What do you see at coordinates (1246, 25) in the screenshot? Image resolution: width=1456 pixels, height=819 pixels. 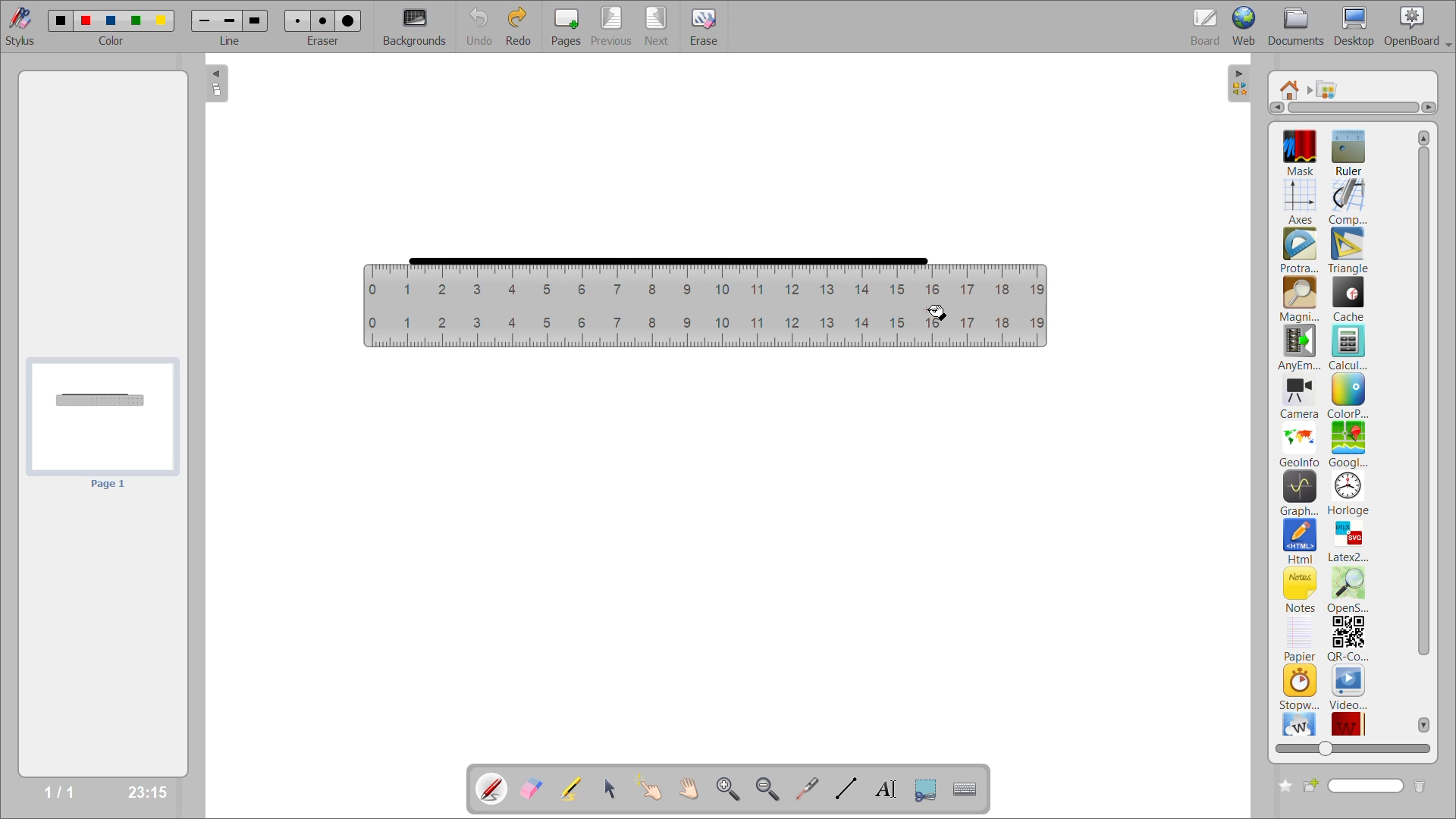 I see `web` at bounding box center [1246, 25].